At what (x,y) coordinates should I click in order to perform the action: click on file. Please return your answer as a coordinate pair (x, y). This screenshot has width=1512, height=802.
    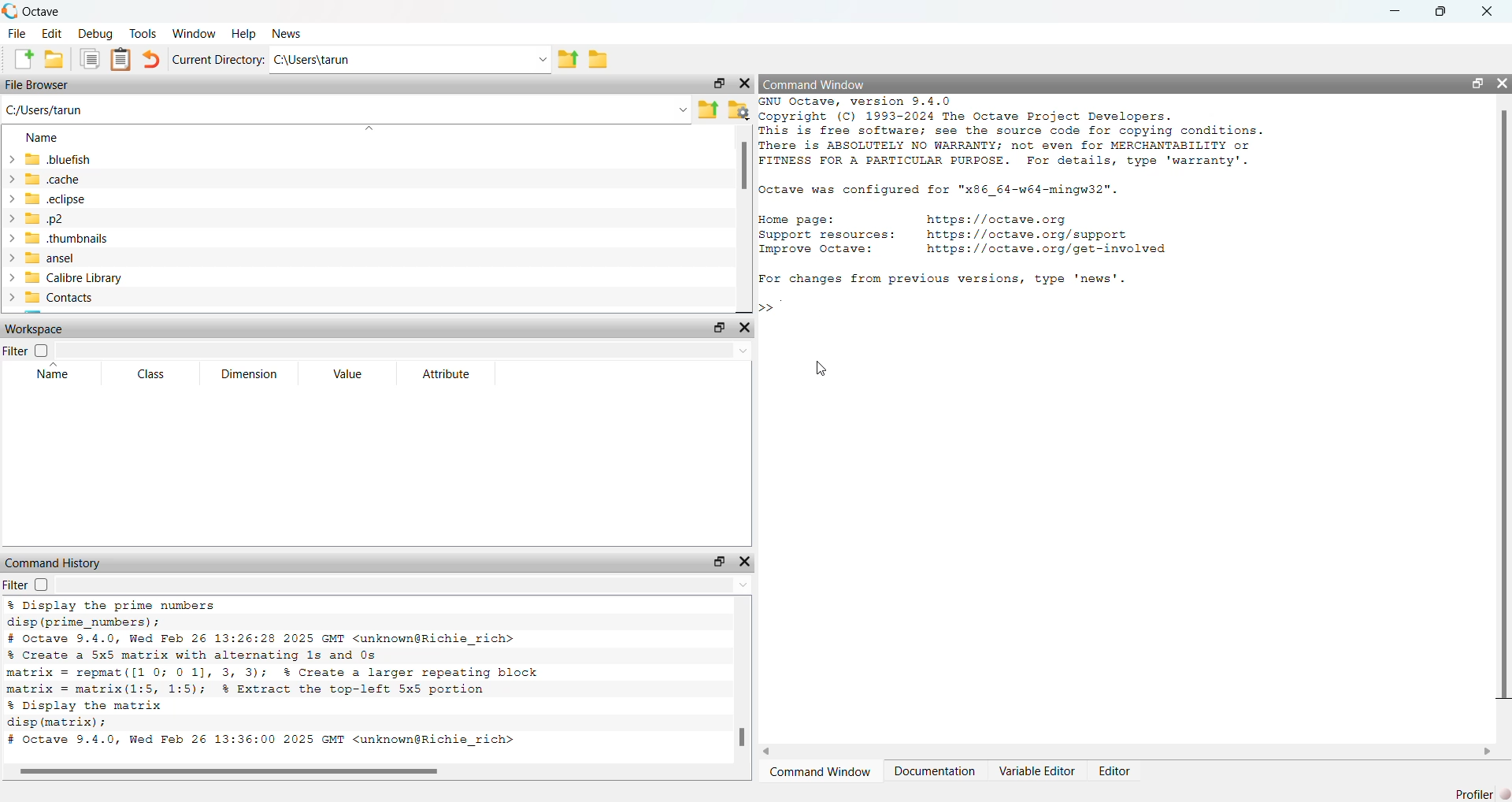
    Looking at the image, I should click on (15, 35).